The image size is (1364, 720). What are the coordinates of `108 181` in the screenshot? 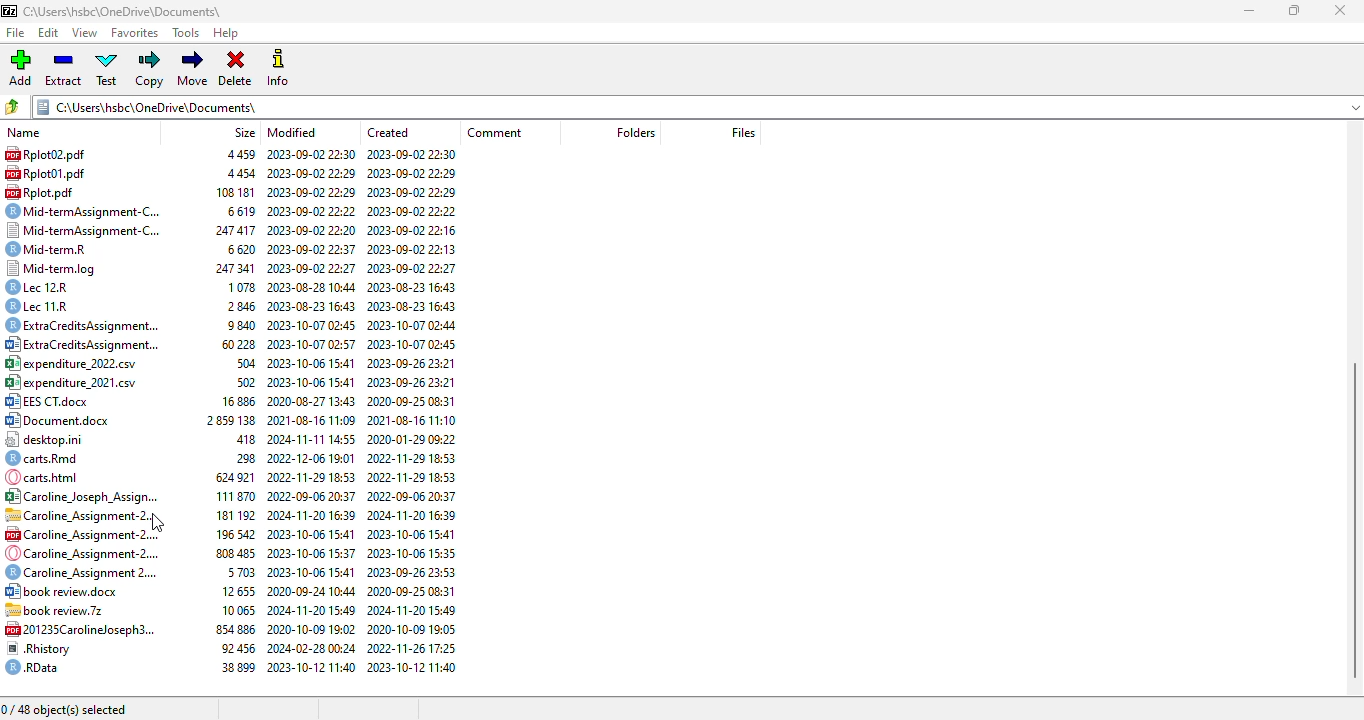 It's located at (233, 192).